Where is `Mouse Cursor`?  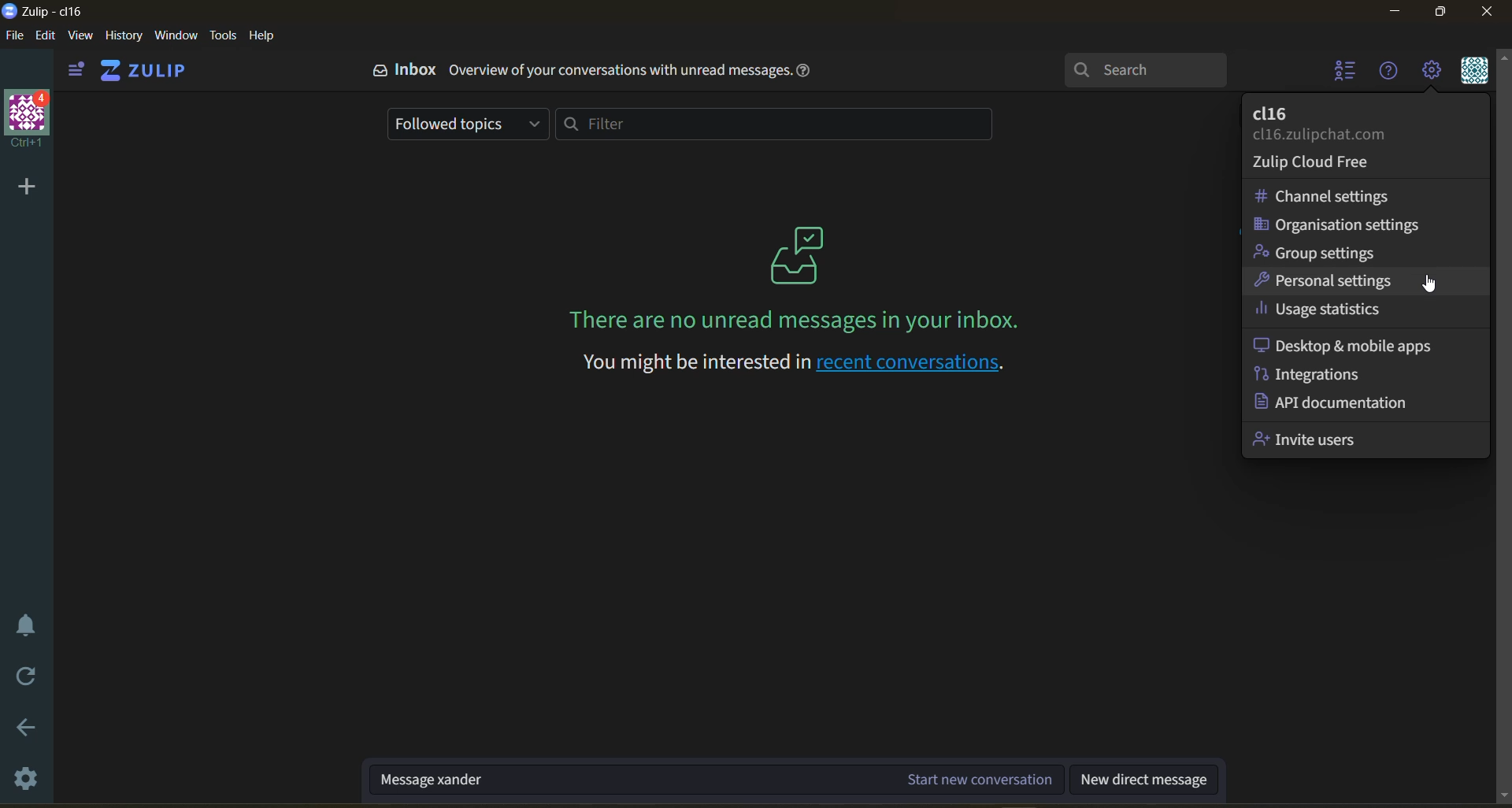
Mouse Cursor is located at coordinates (1431, 284).